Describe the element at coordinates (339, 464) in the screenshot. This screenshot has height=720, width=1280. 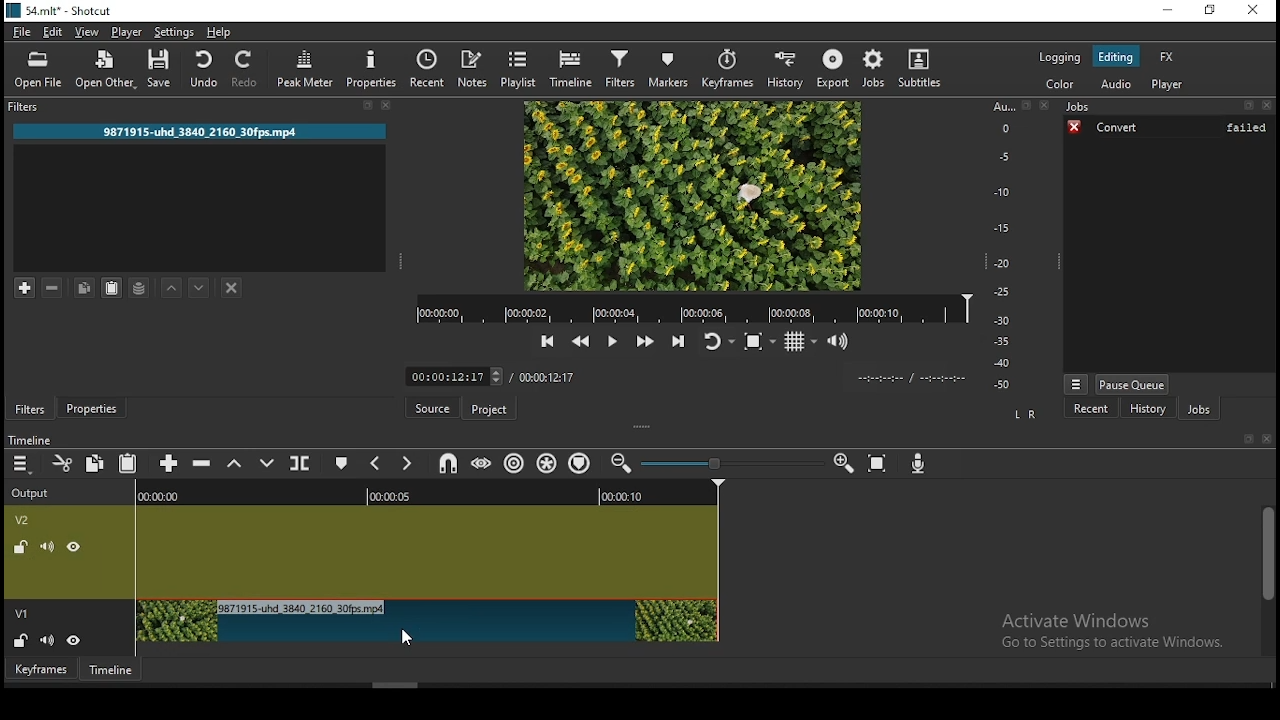
I see `create/edit marker` at that location.